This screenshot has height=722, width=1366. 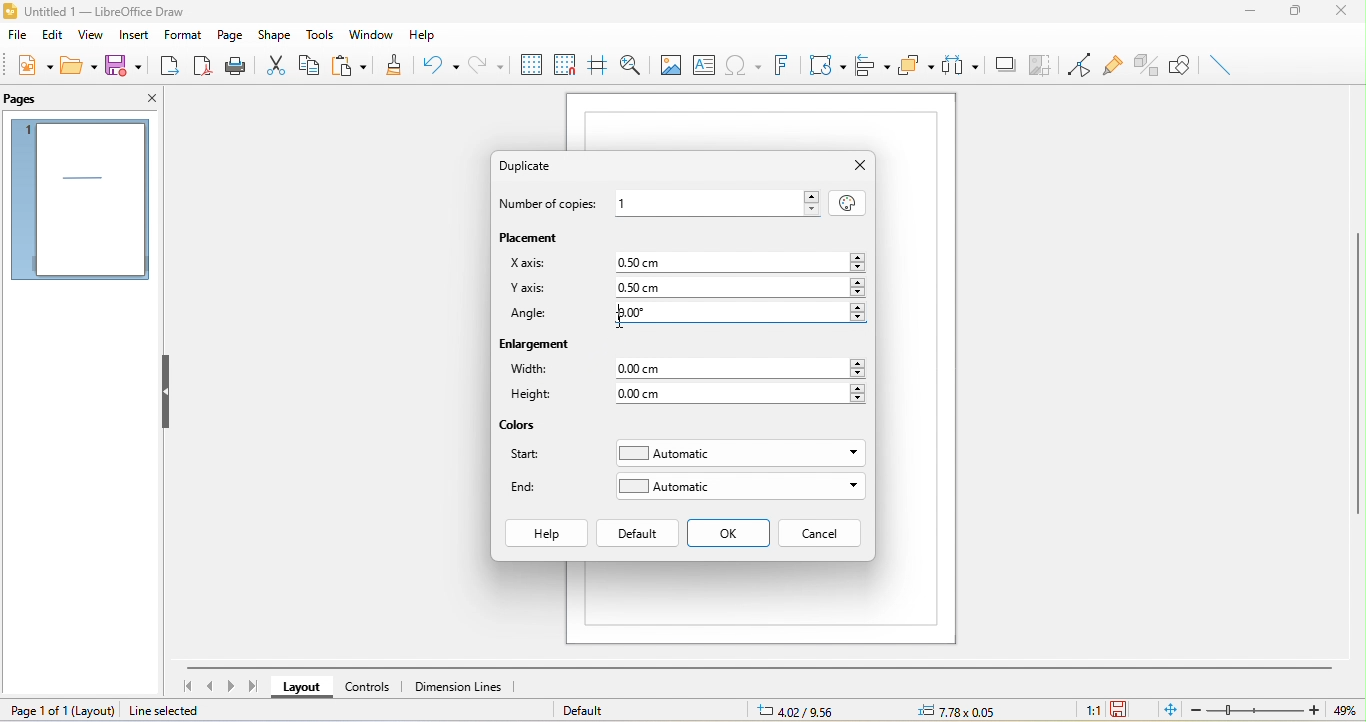 What do you see at coordinates (148, 101) in the screenshot?
I see `close` at bounding box center [148, 101].